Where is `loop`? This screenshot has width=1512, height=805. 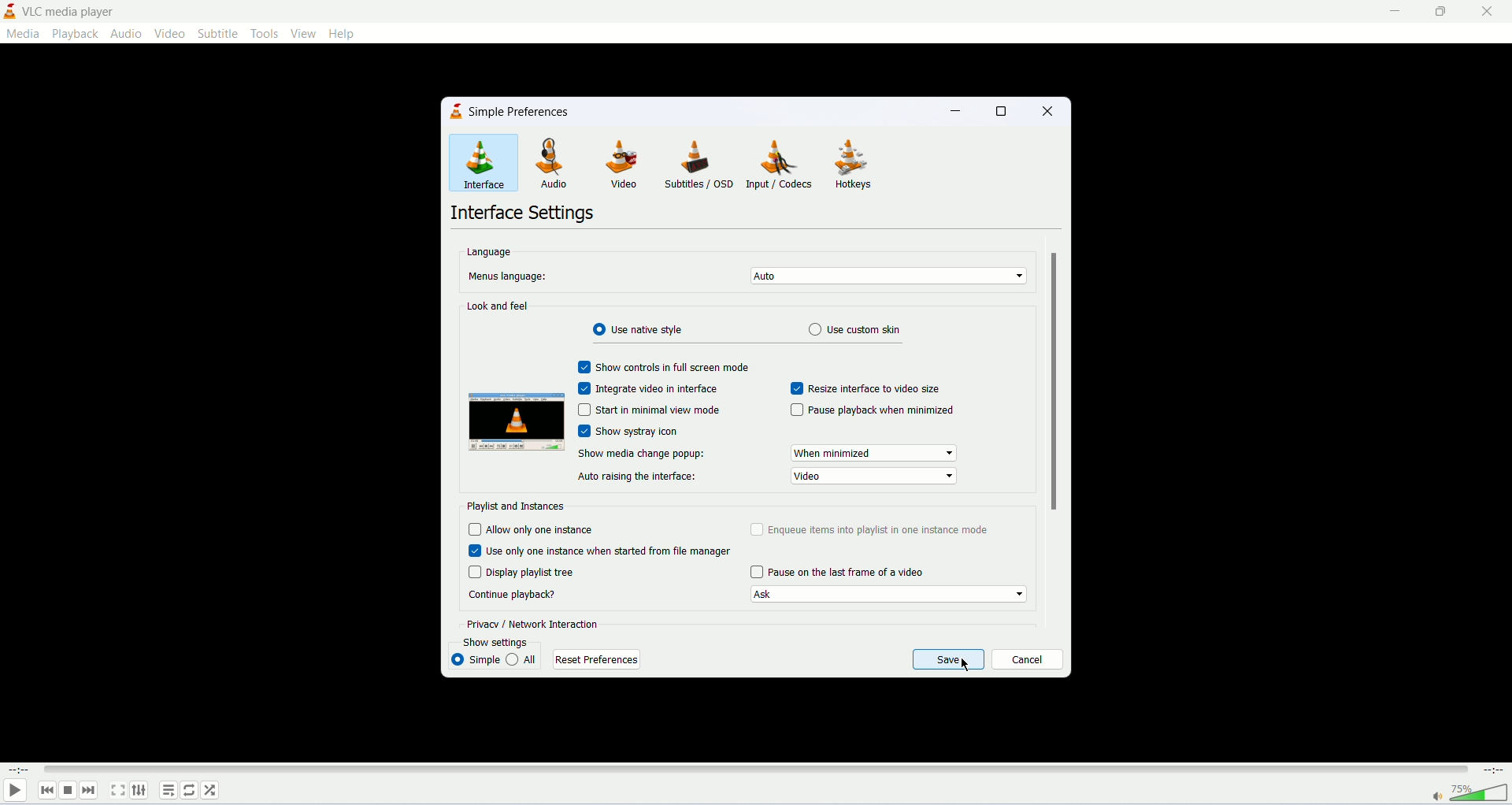 loop is located at coordinates (188, 790).